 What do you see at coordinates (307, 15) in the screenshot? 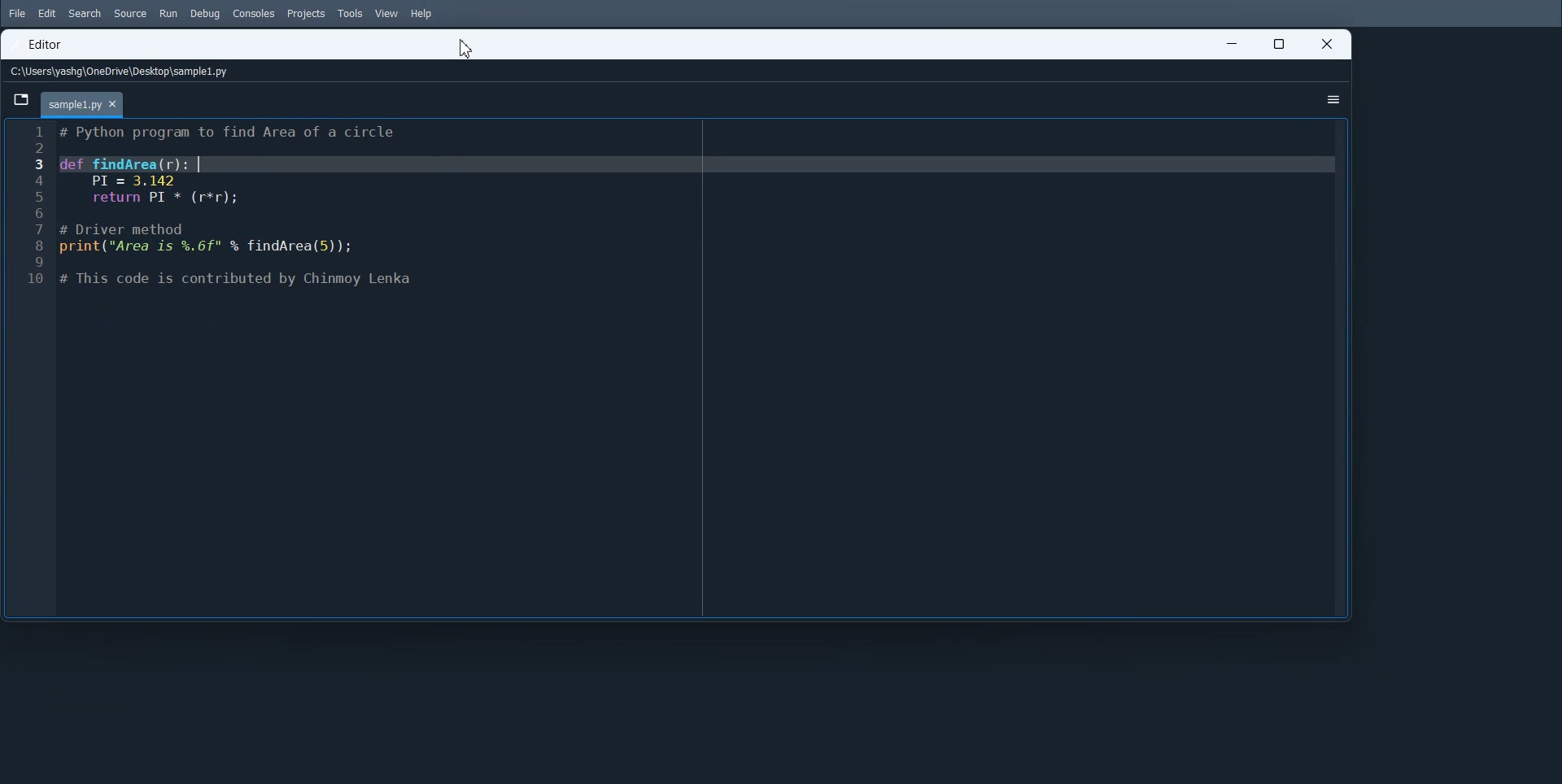
I see `Projects` at bounding box center [307, 15].